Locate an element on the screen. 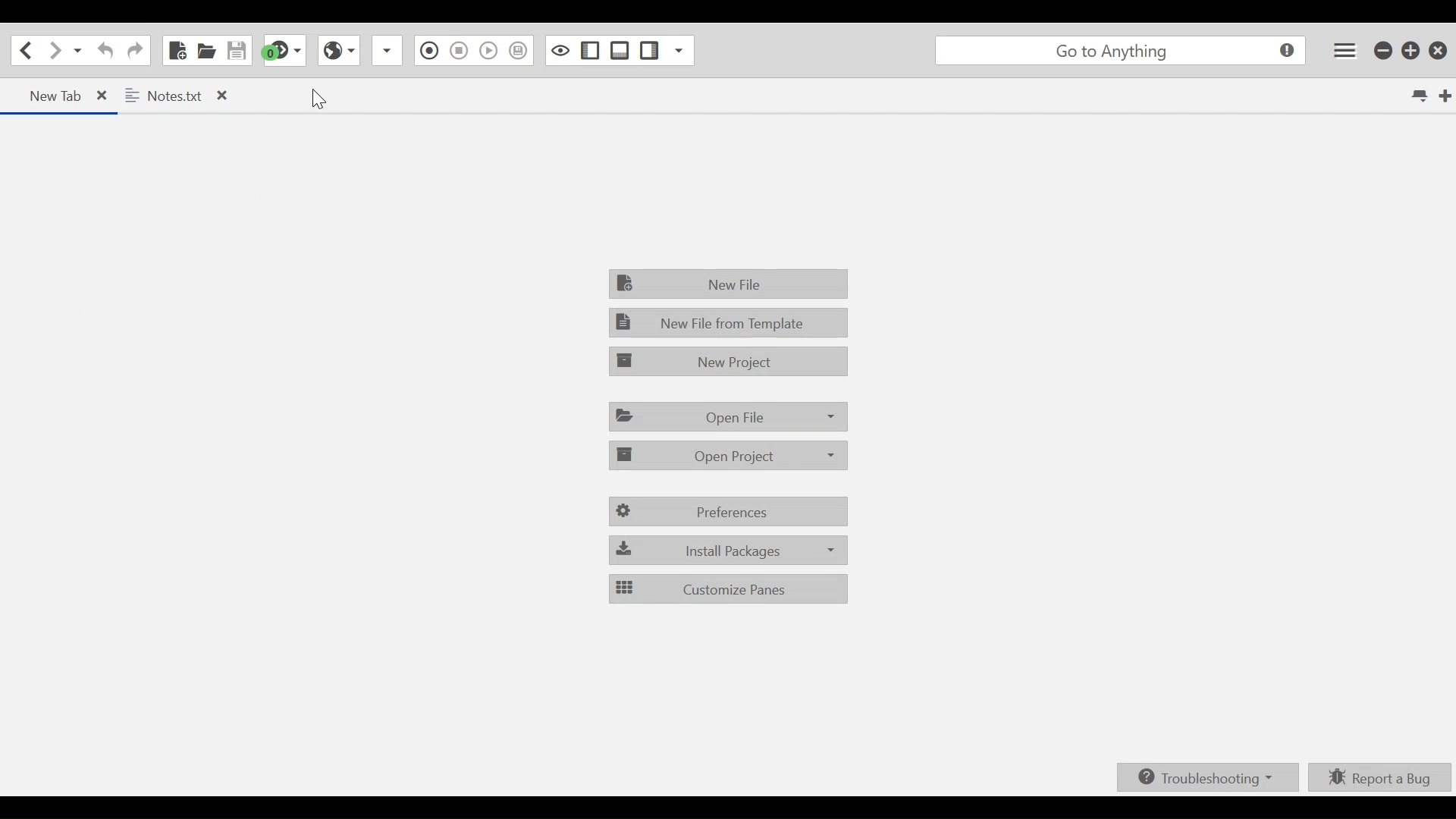 The image size is (1456, 819). Redo last Action is located at coordinates (135, 49).